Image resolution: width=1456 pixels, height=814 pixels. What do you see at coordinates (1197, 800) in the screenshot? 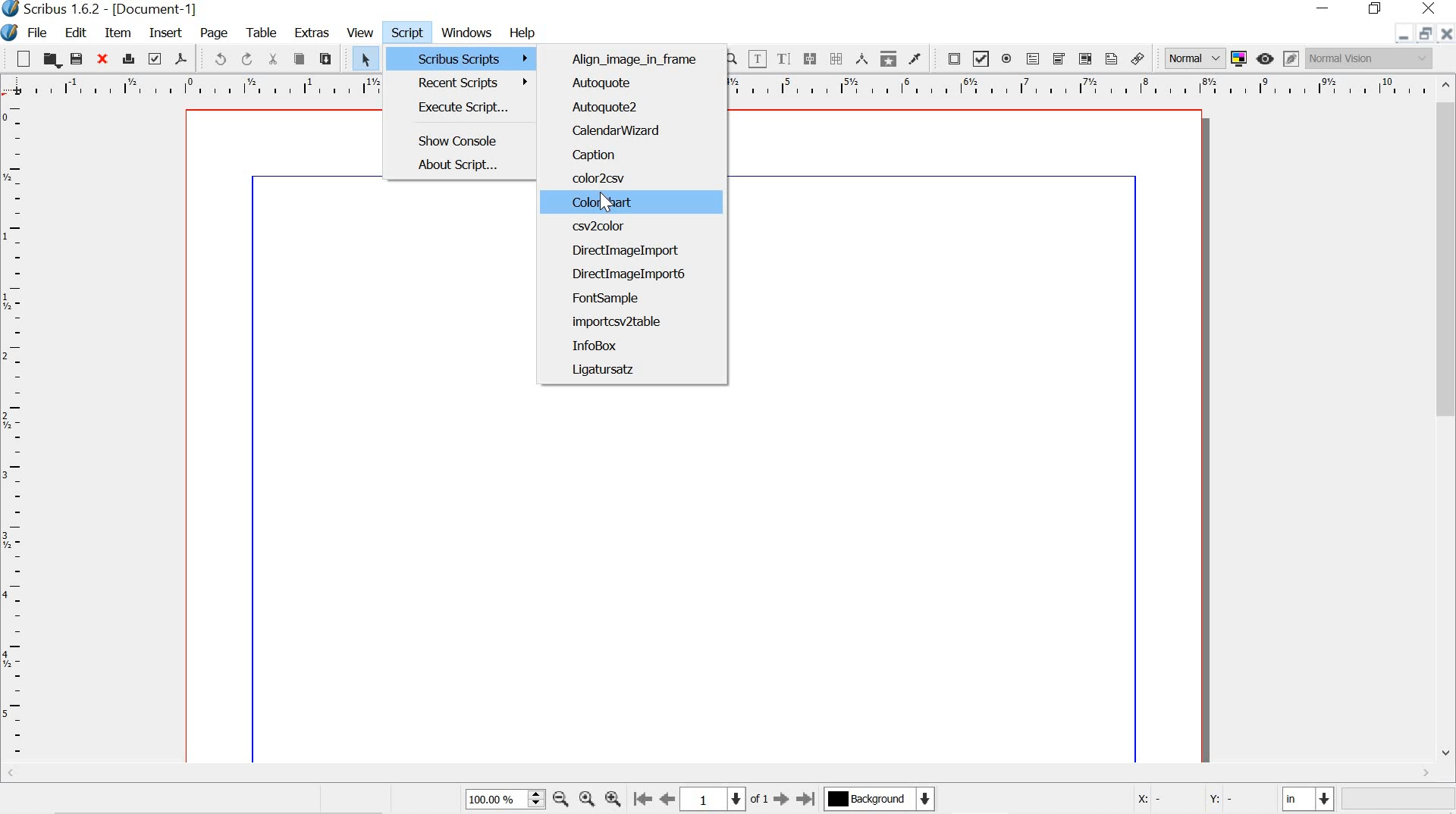
I see `X: - Y: -` at bounding box center [1197, 800].